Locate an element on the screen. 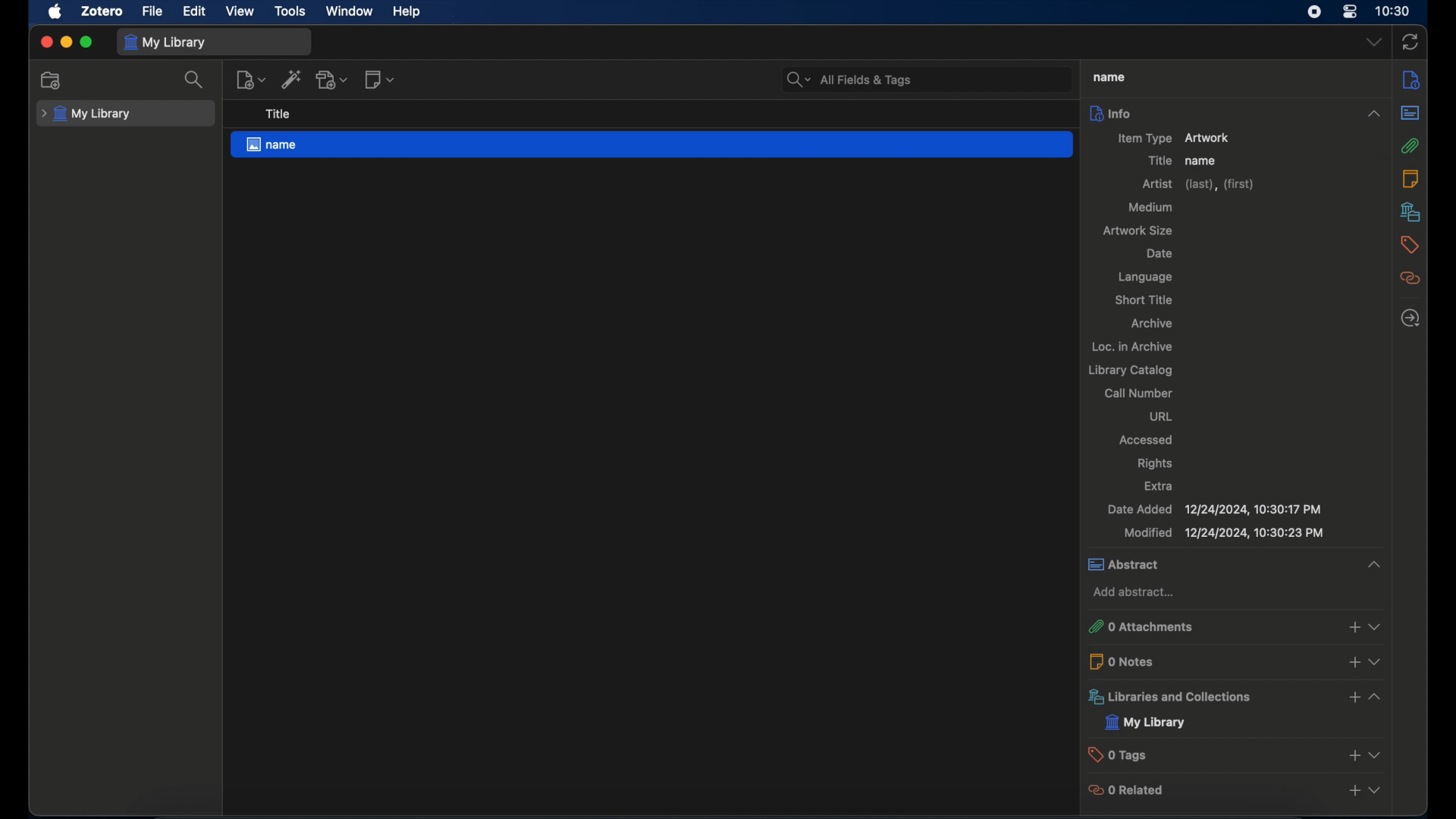  title is located at coordinates (1109, 77).